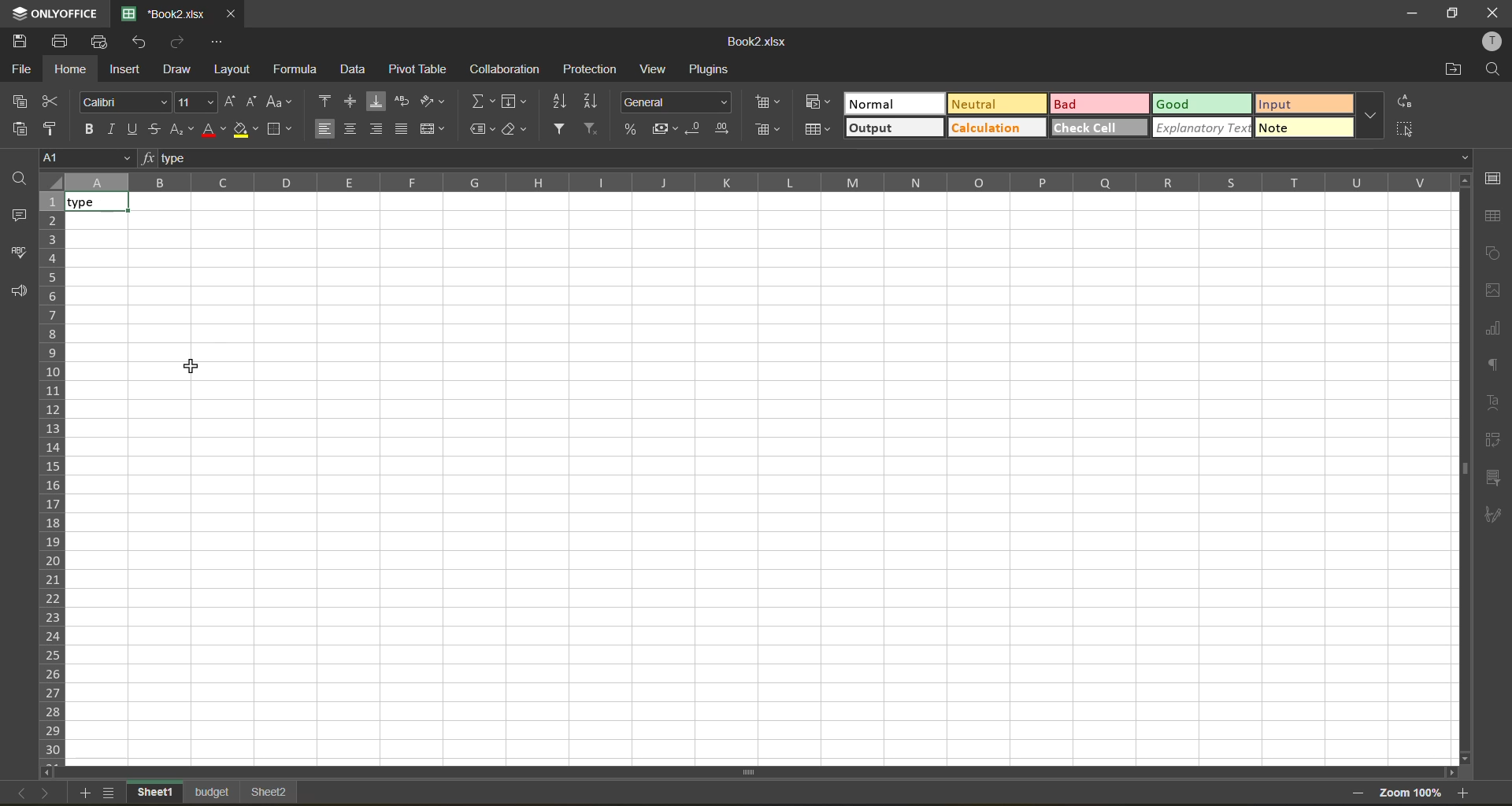  What do you see at coordinates (767, 104) in the screenshot?
I see `insert cells` at bounding box center [767, 104].